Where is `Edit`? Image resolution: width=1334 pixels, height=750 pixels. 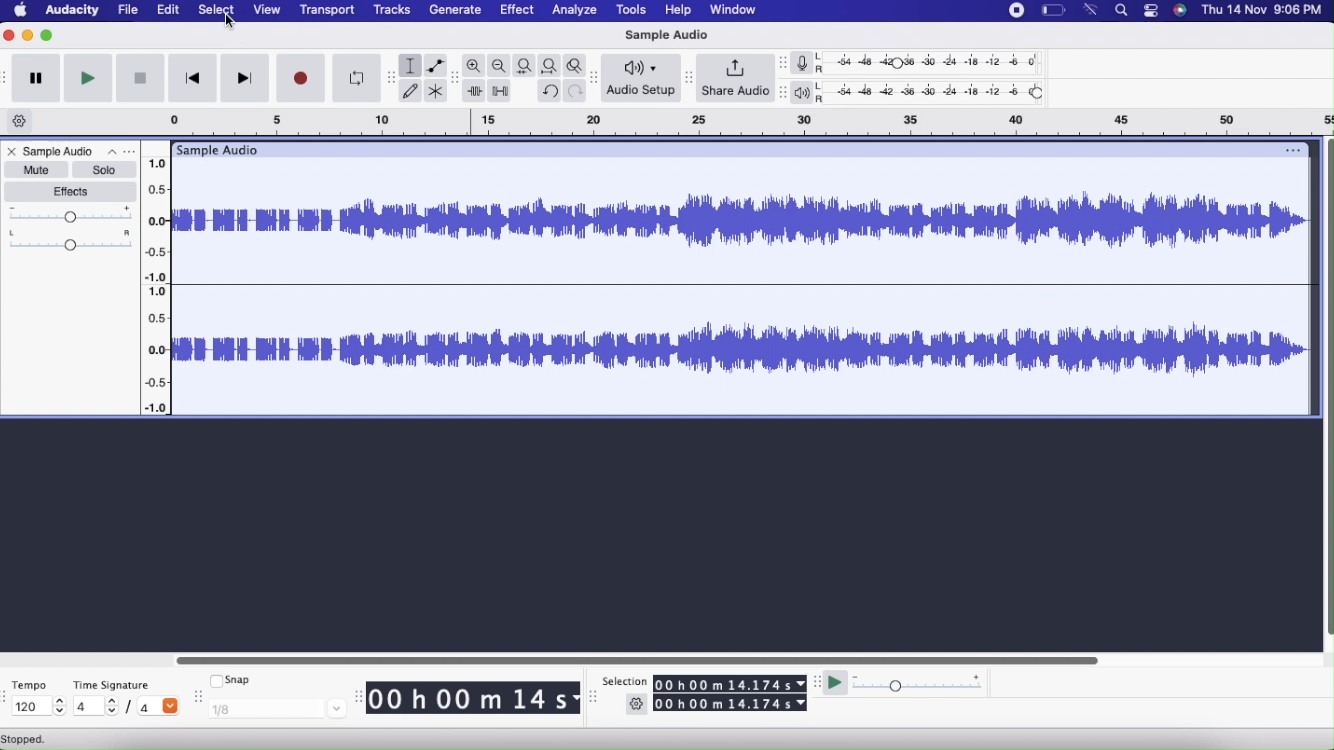 Edit is located at coordinates (168, 10).